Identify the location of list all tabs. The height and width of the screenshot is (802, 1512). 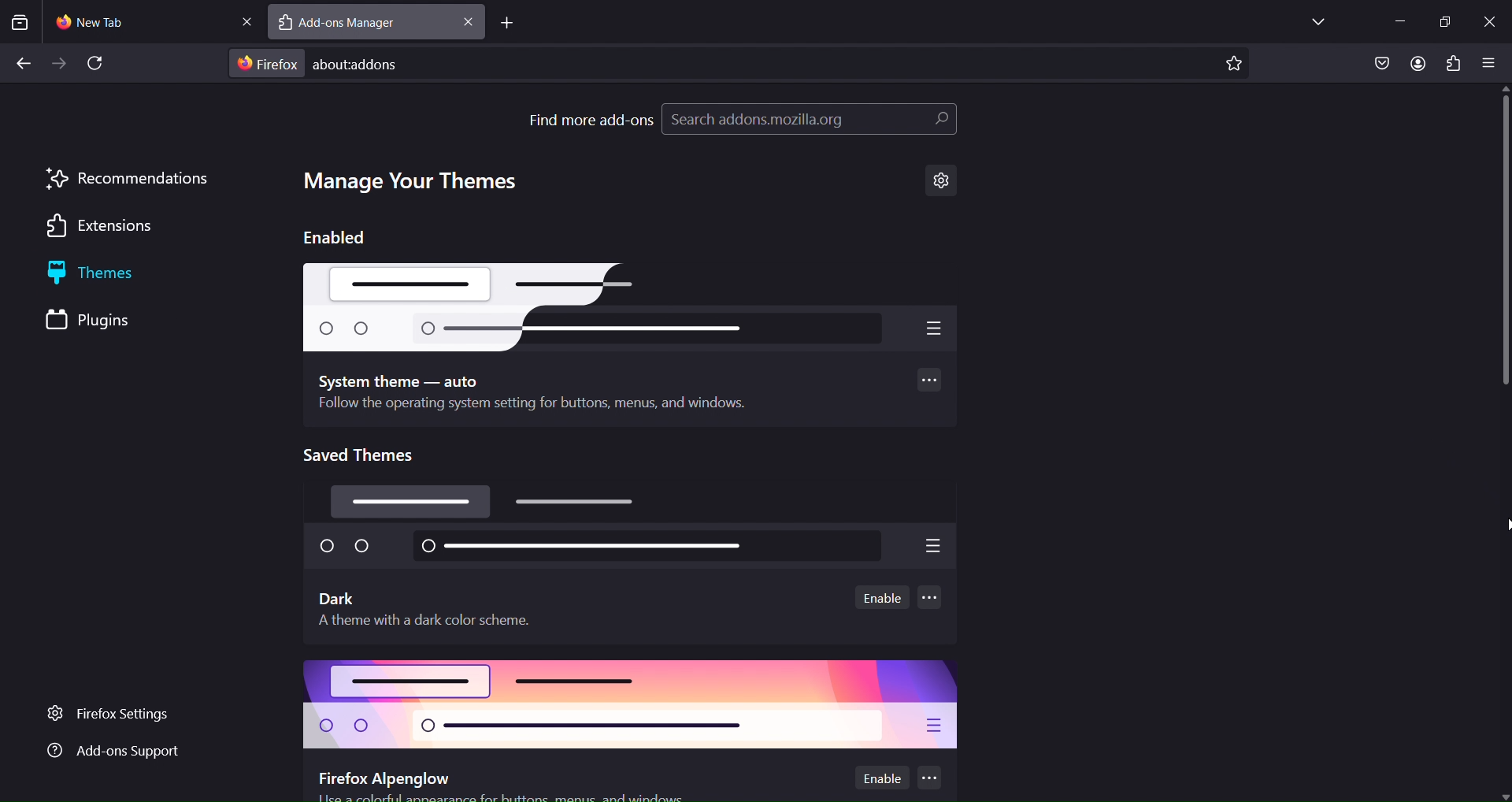
(1314, 20).